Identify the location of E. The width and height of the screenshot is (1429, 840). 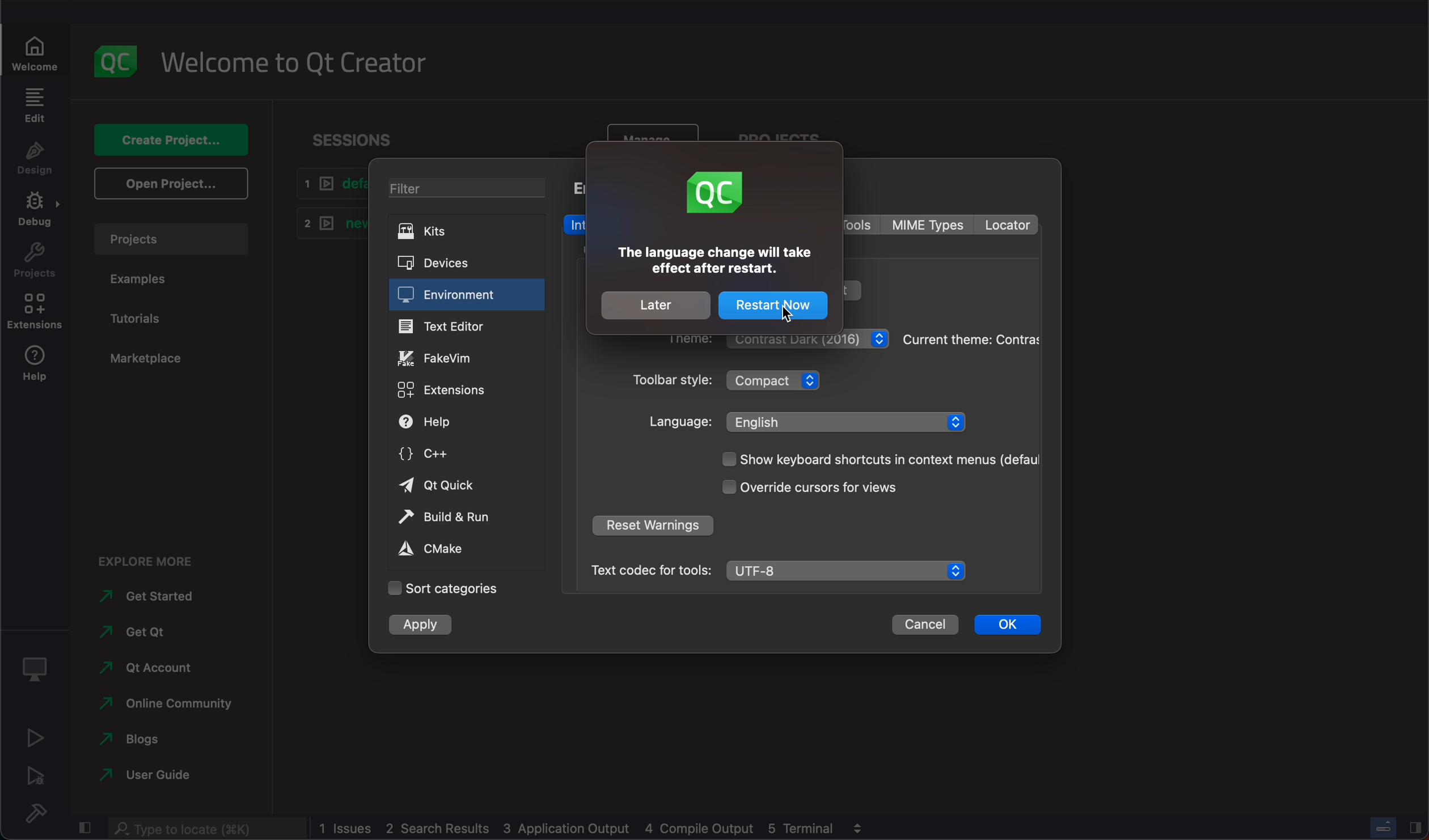
(576, 190).